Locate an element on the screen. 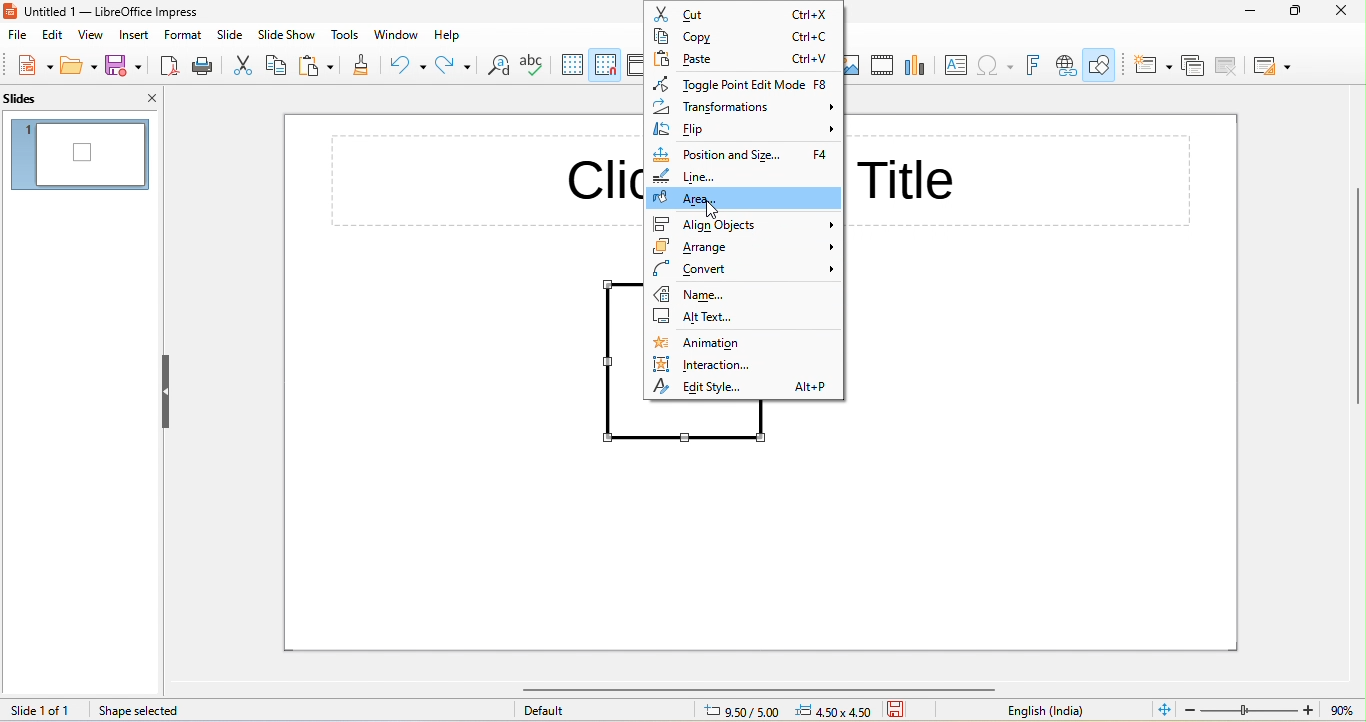 The image size is (1366, 722). default is located at coordinates (553, 710).